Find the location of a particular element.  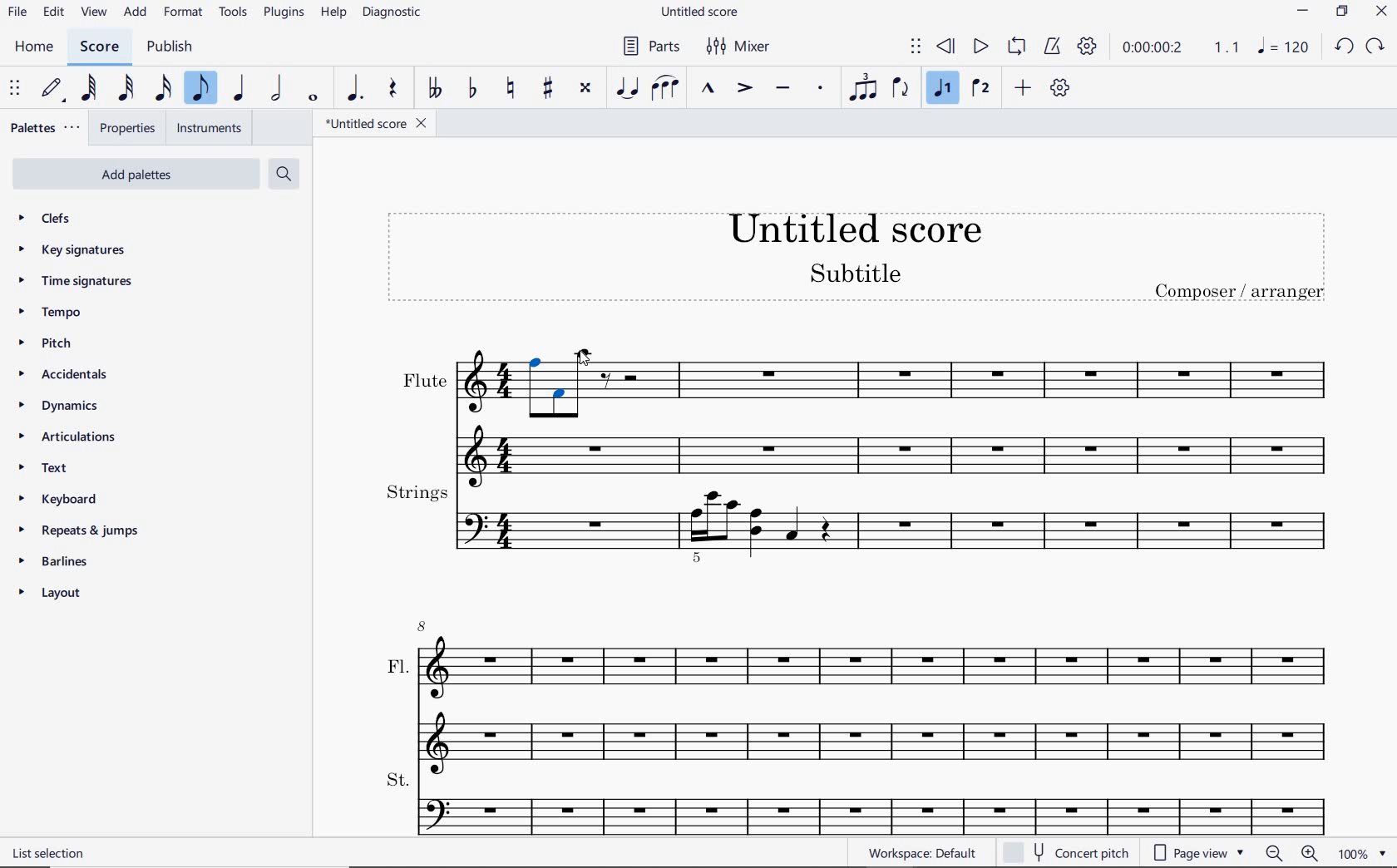

tempo is located at coordinates (51, 312).